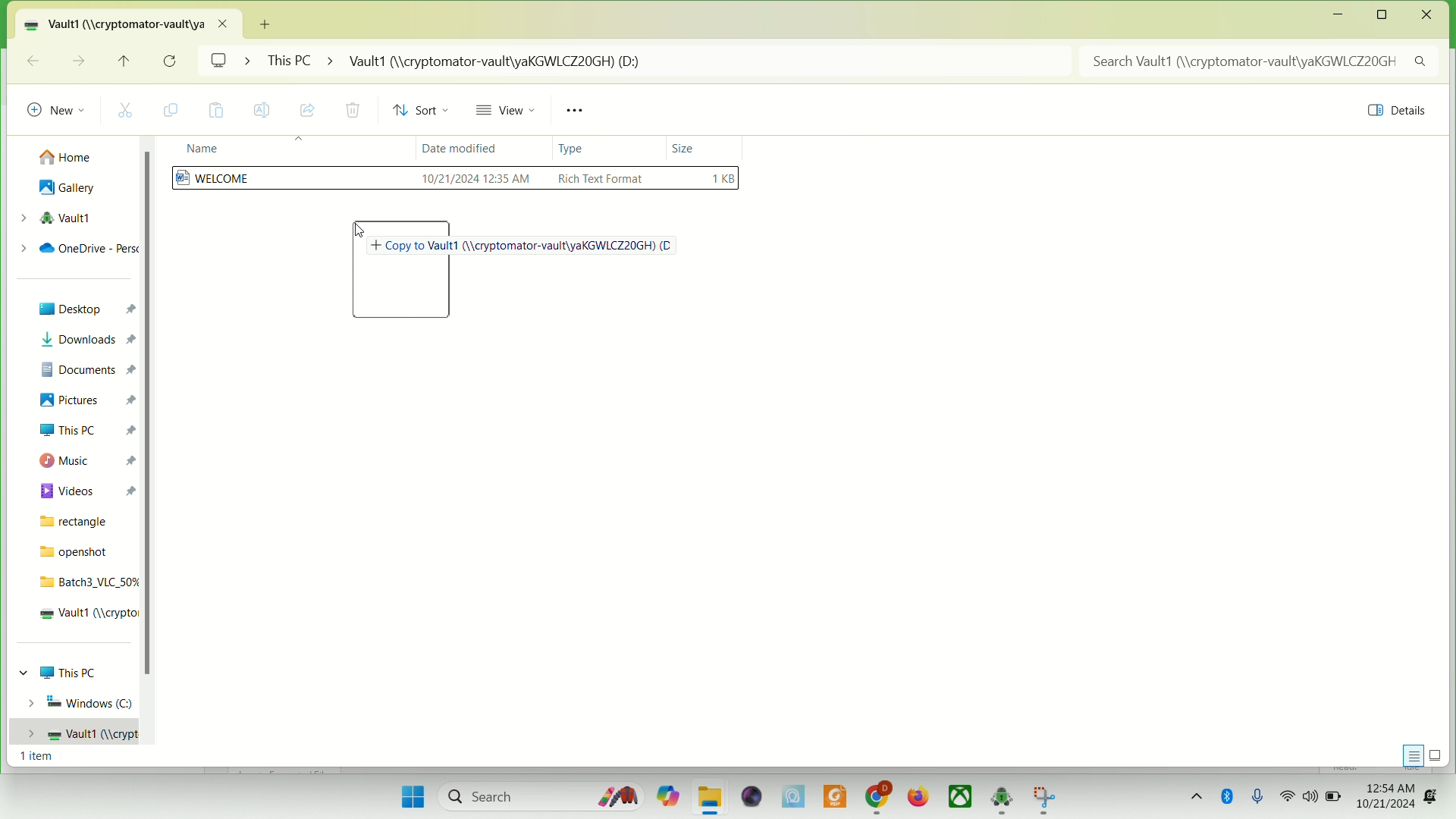 Image resolution: width=1456 pixels, height=819 pixels. I want to click on MSI center Pro, so click(792, 796).